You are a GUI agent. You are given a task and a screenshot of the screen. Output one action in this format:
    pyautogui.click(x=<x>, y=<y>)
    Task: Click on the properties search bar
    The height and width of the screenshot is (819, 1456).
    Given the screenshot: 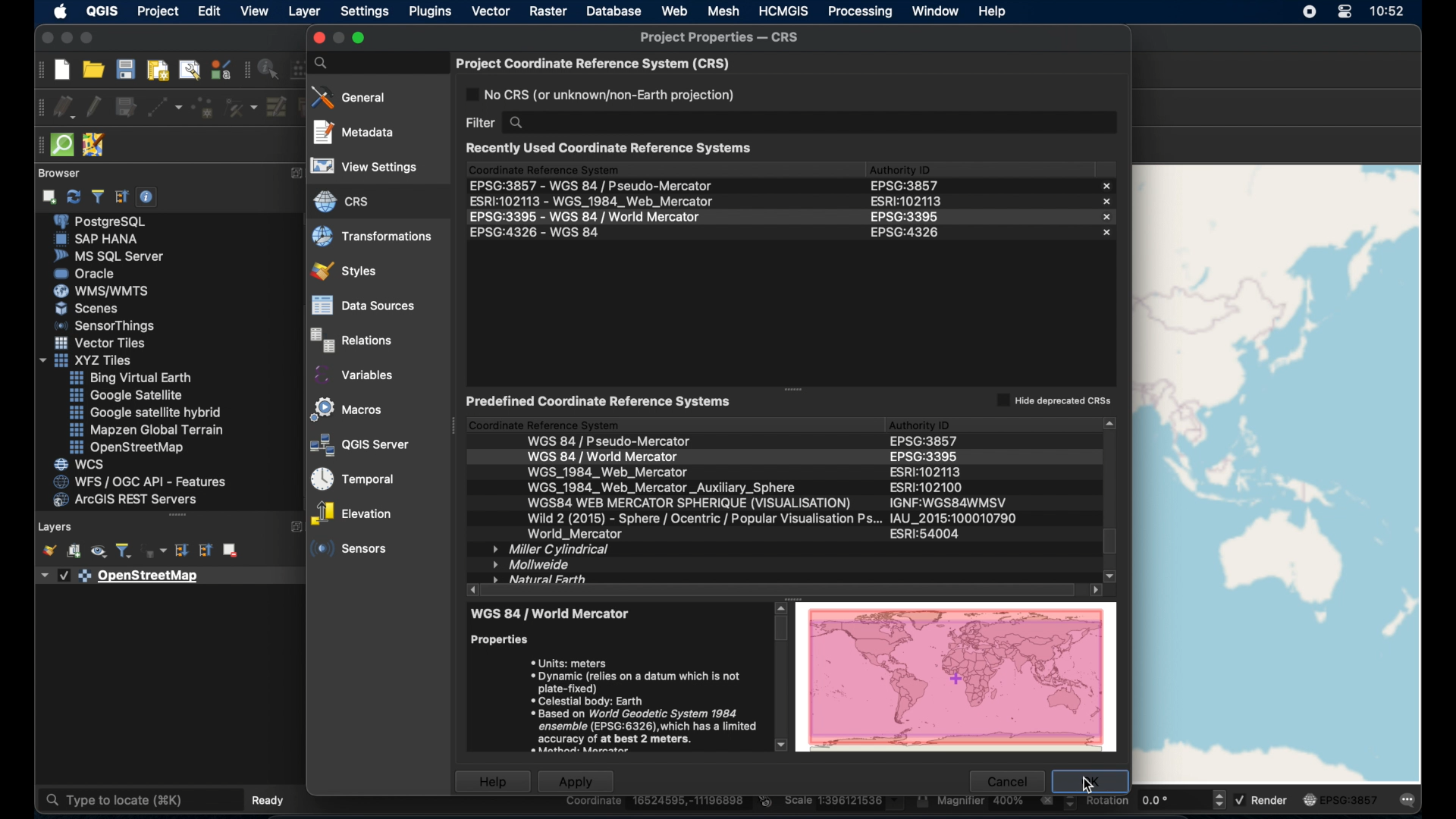 What is the action you would take?
    pyautogui.click(x=372, y=63)
    